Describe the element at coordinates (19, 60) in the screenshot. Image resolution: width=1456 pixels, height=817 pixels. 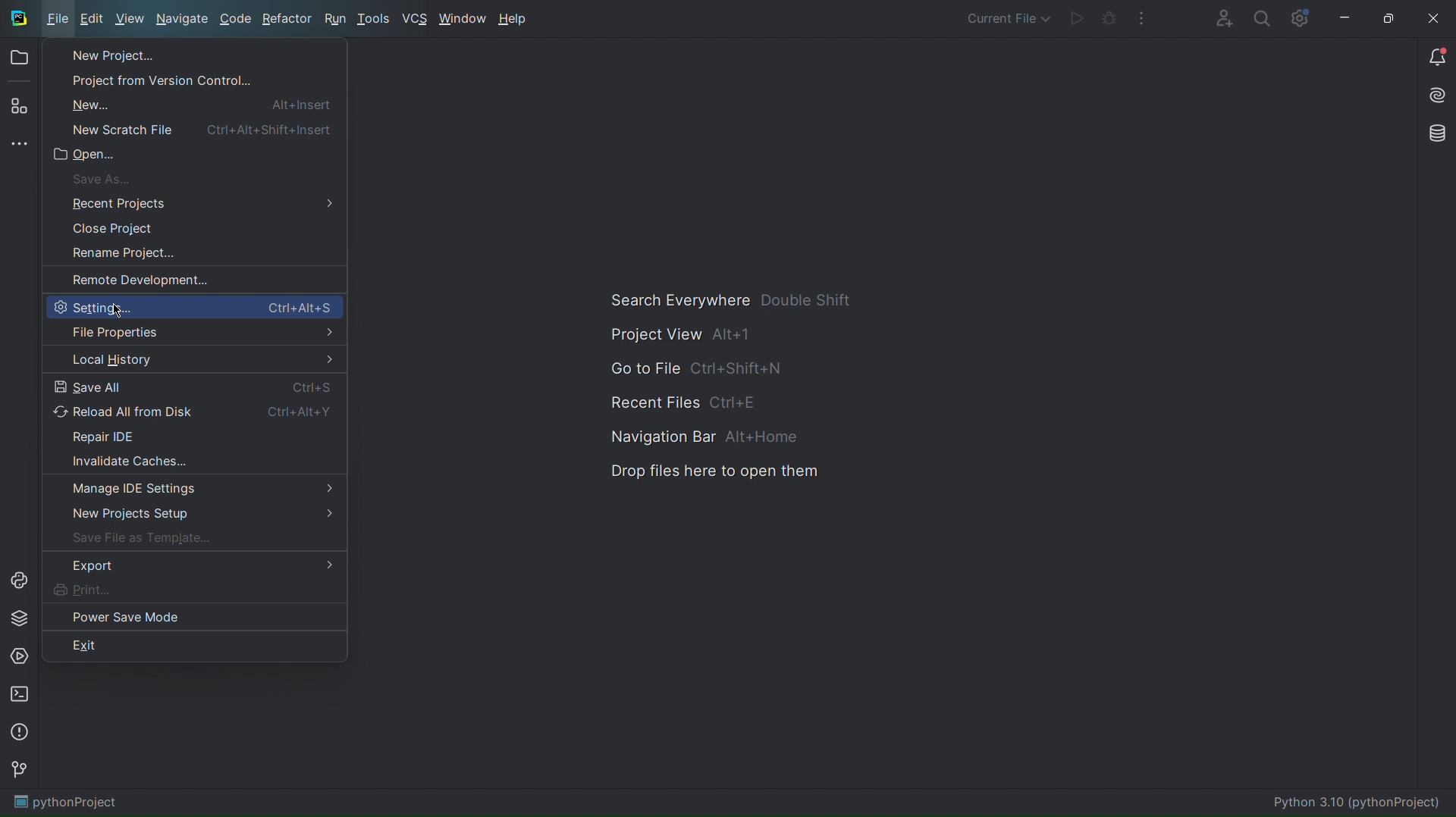
I see `Open` at that location.